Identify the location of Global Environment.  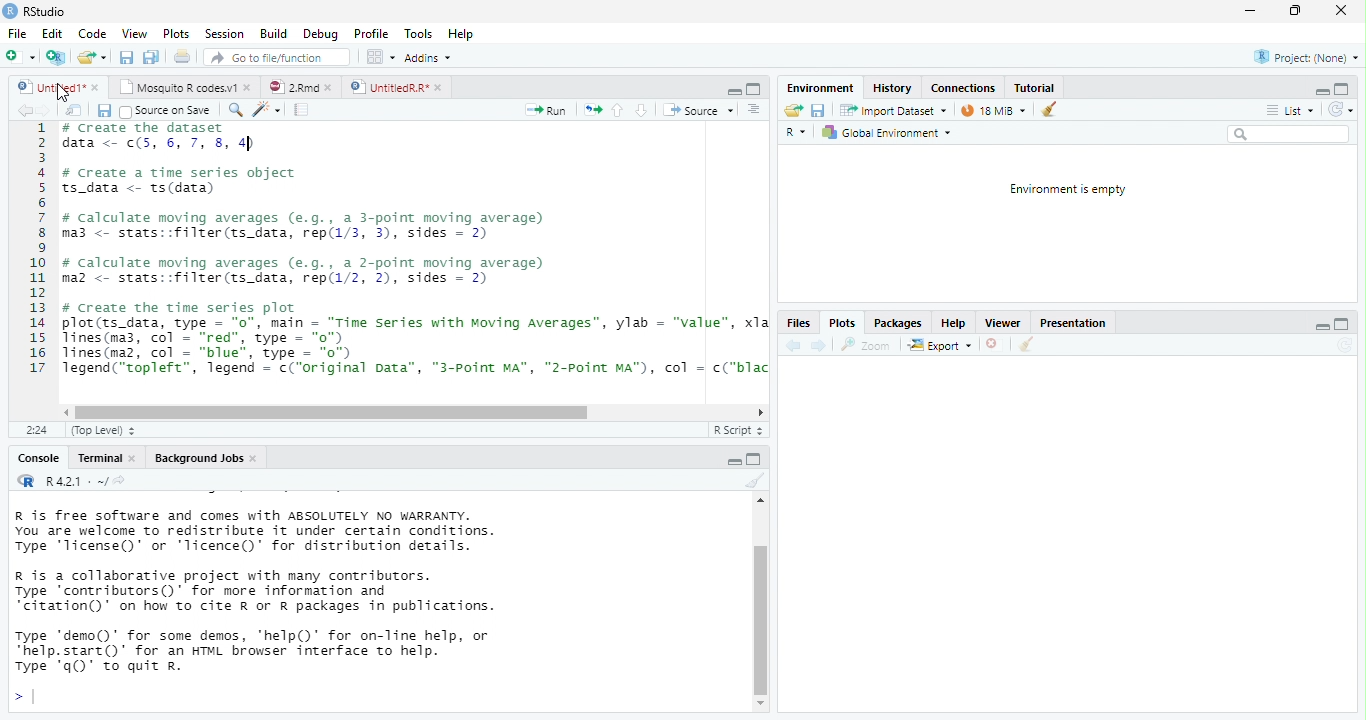
(886, 133).